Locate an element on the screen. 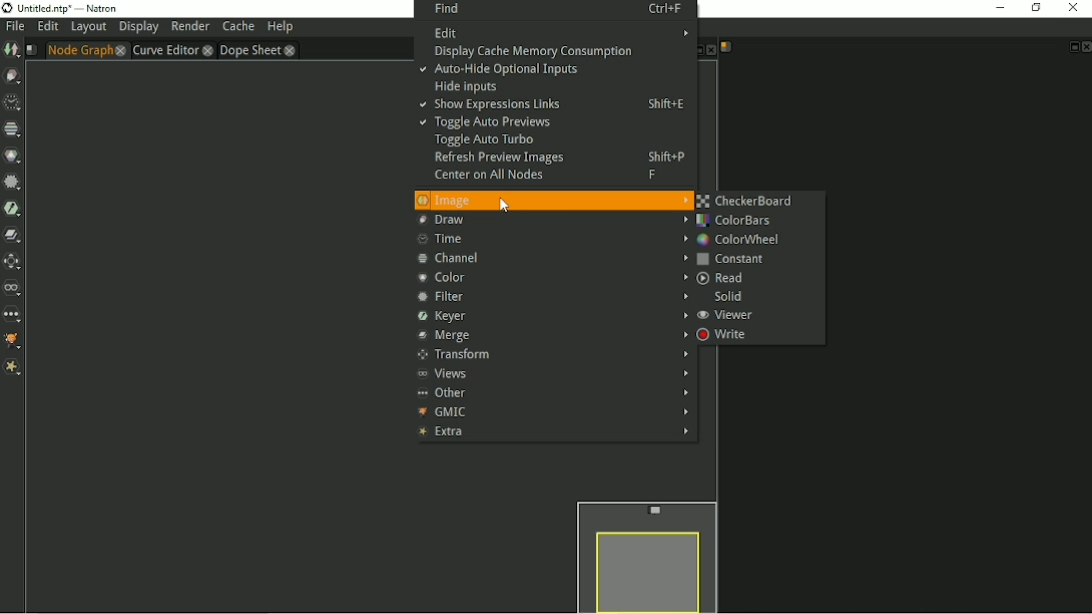 Image resolution: width=1092 pixels, height=614 pixels. ColorWheel is located at coordinates (739, 240).